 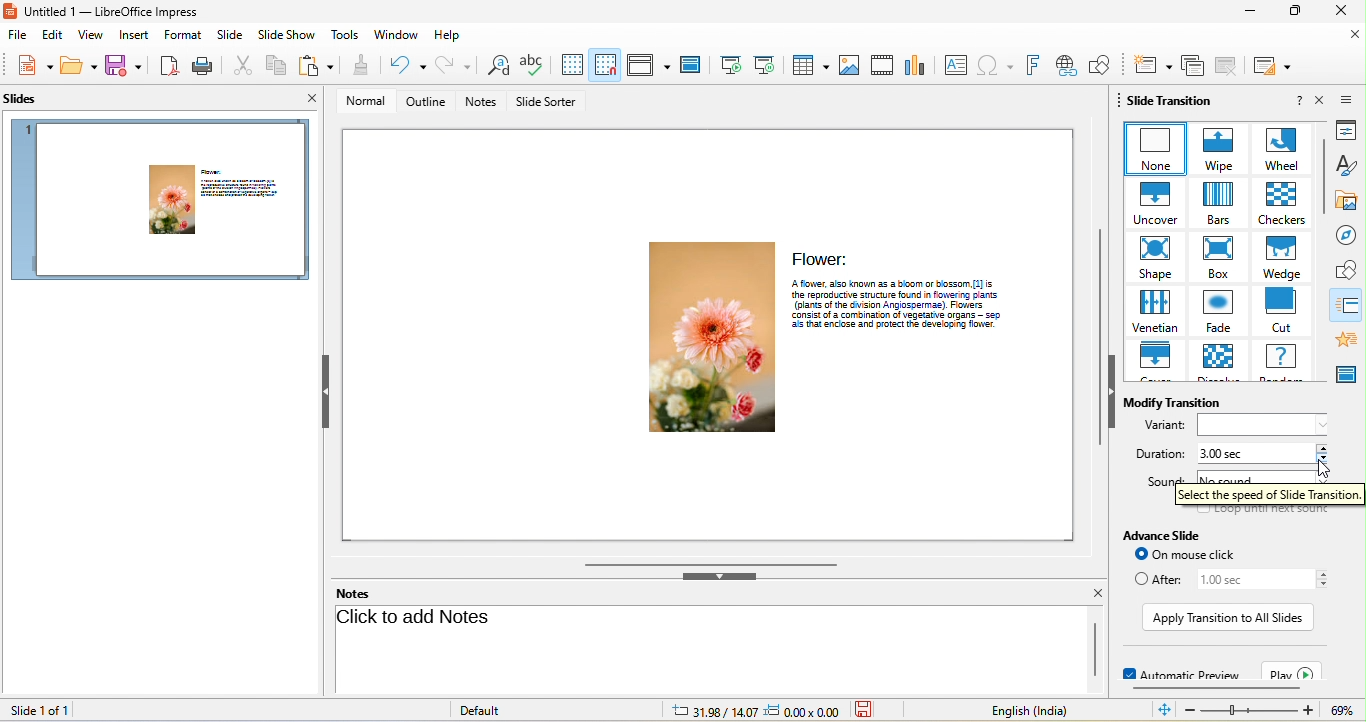 I want to click on start from current slide, so click(x=767, y=65).